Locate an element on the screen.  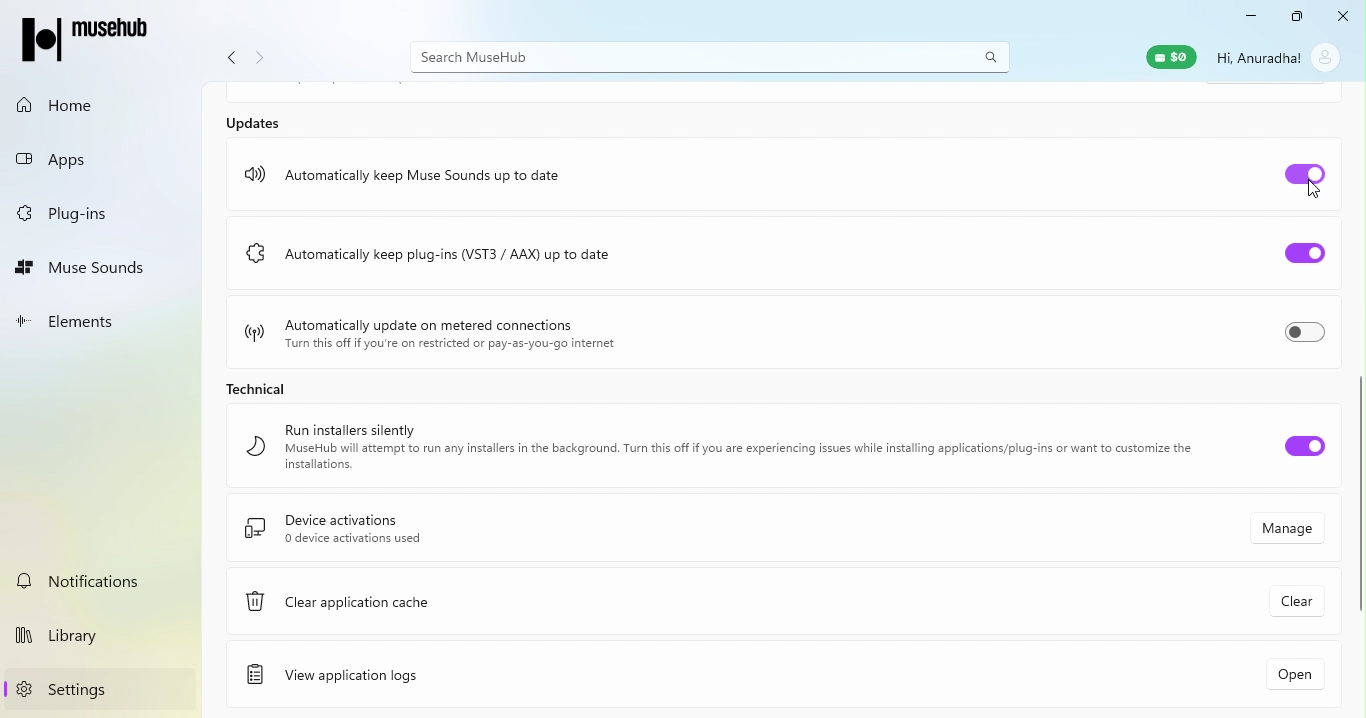
Library is located at coordinates (104, 633).